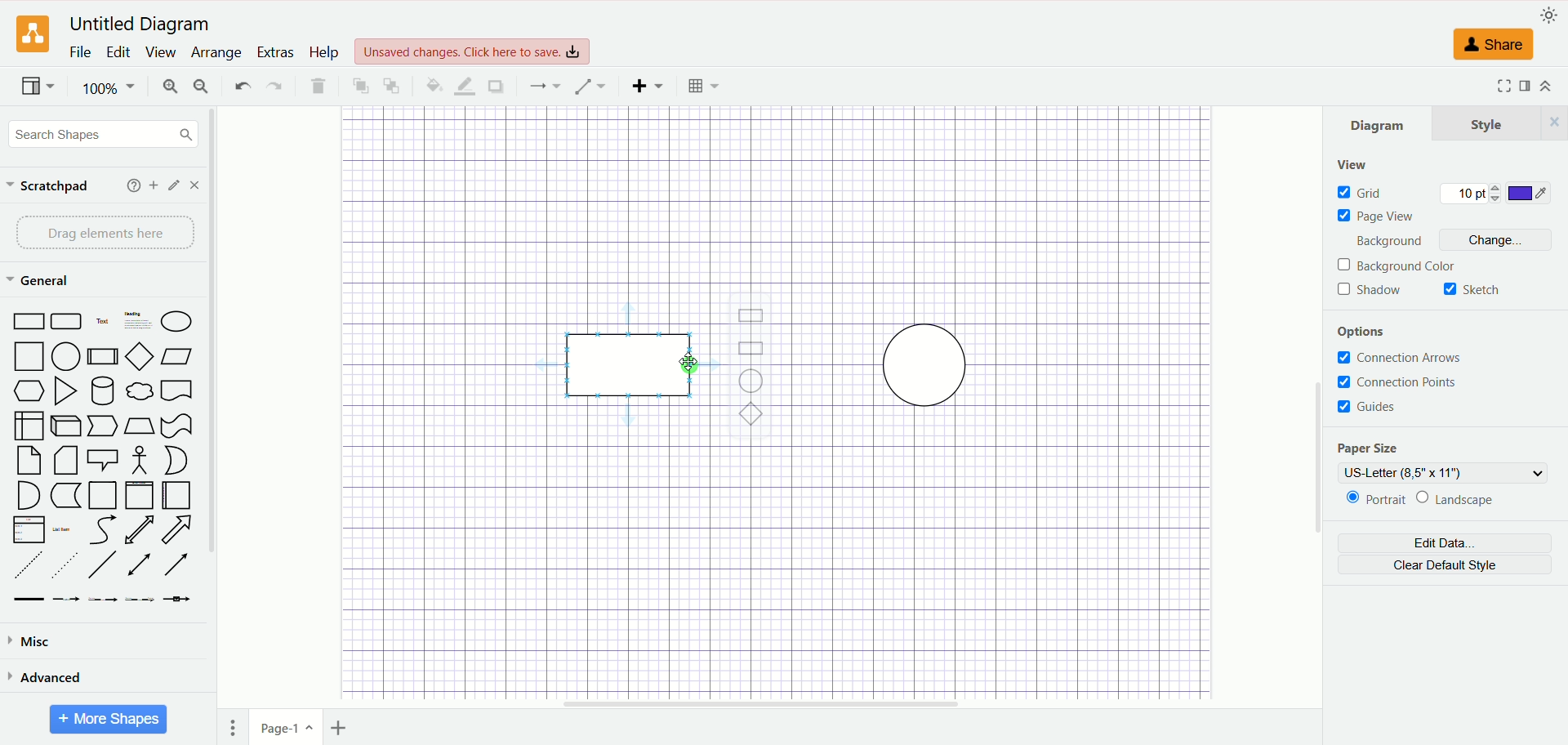 This screenshot has height=745, width=1568. Describe the element at coordinates (628, 367) in the screenshot. I see `rectangle` at that location.